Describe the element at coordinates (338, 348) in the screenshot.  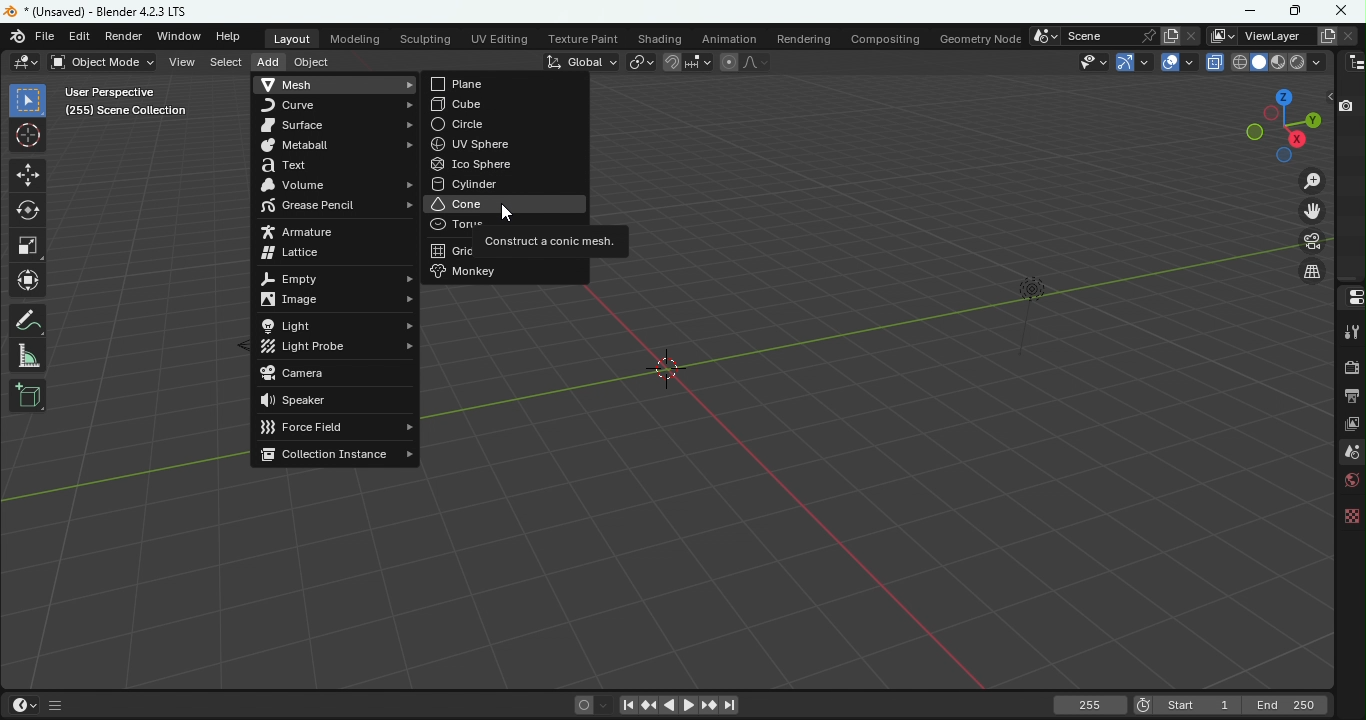
I see `Light probe` at that location.